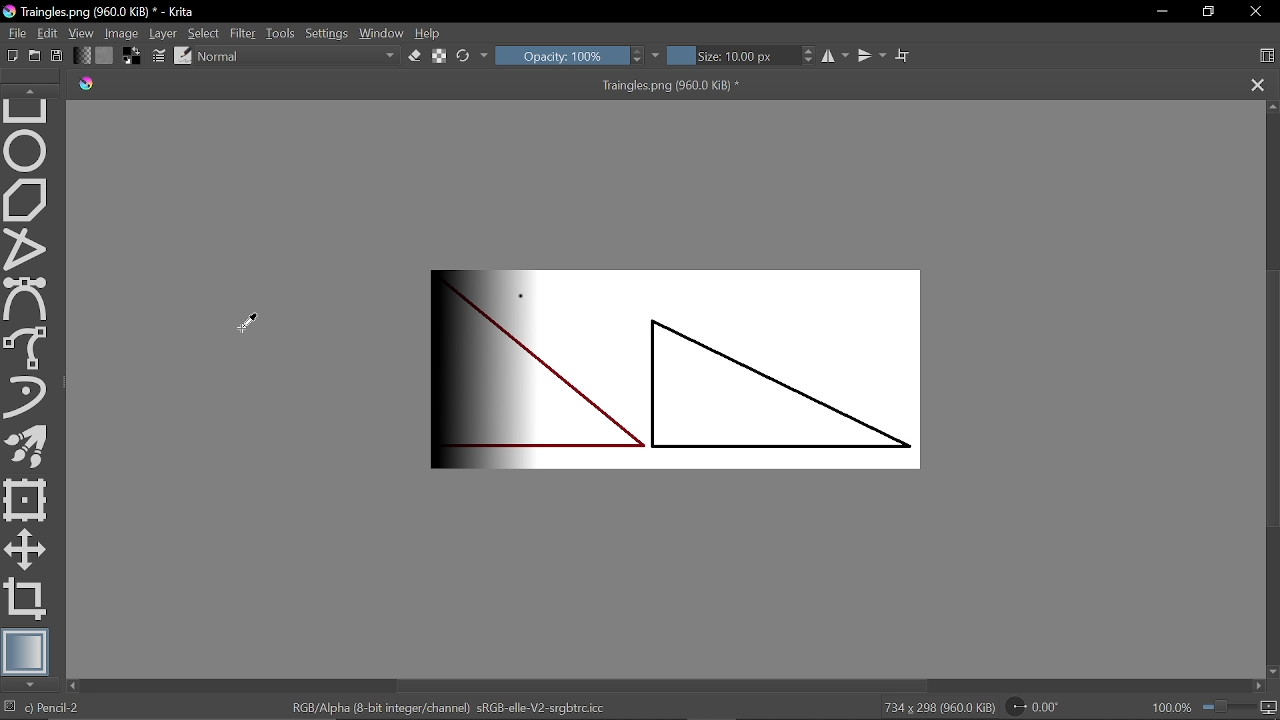 The width and height of the screenshot is (1280, 720). What do you see at coordinates (904, 56) in the screenshot?
I see `Wrap text tool` at bounding box center [904, 56].